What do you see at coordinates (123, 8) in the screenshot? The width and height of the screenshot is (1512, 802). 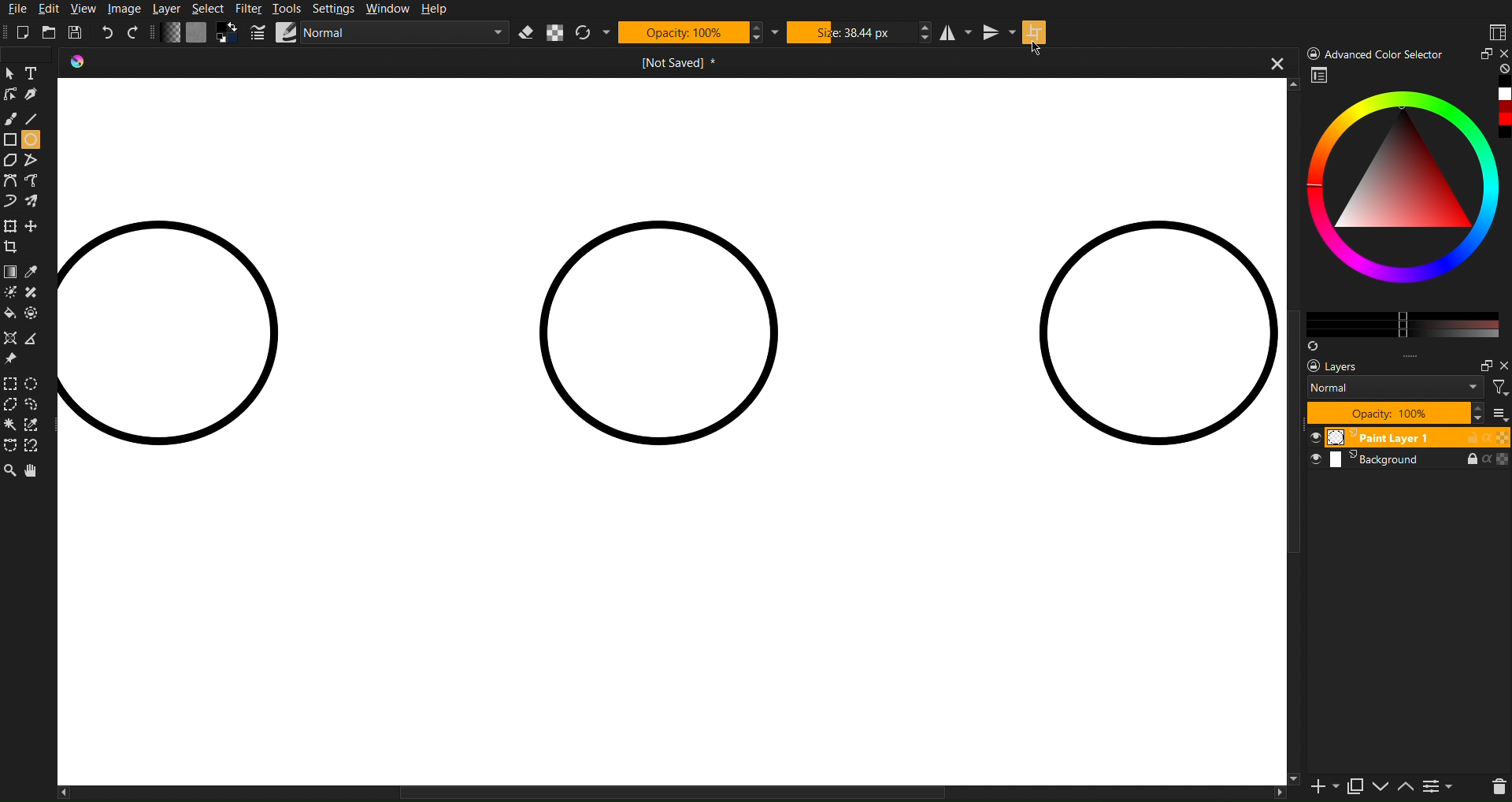 I see `Image` at bounding box center [123, 8].